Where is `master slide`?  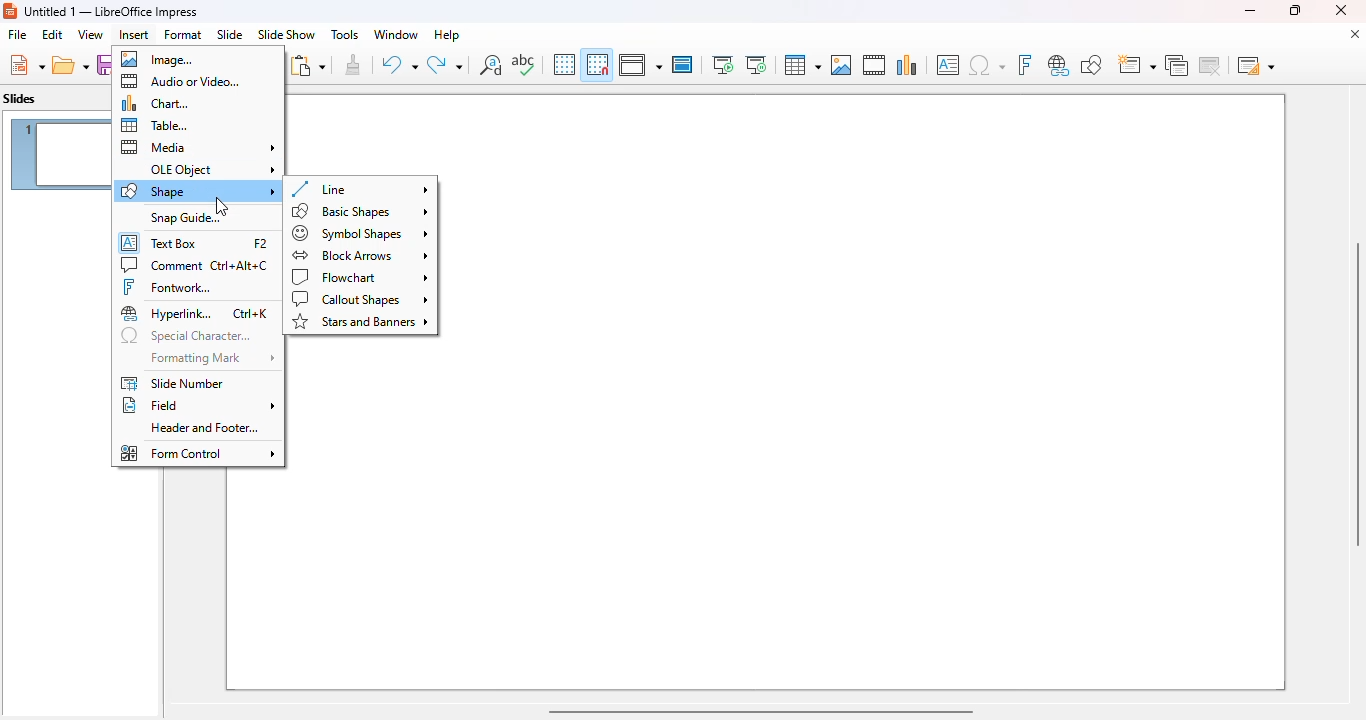 master slide is located at coordinates (682, 64).